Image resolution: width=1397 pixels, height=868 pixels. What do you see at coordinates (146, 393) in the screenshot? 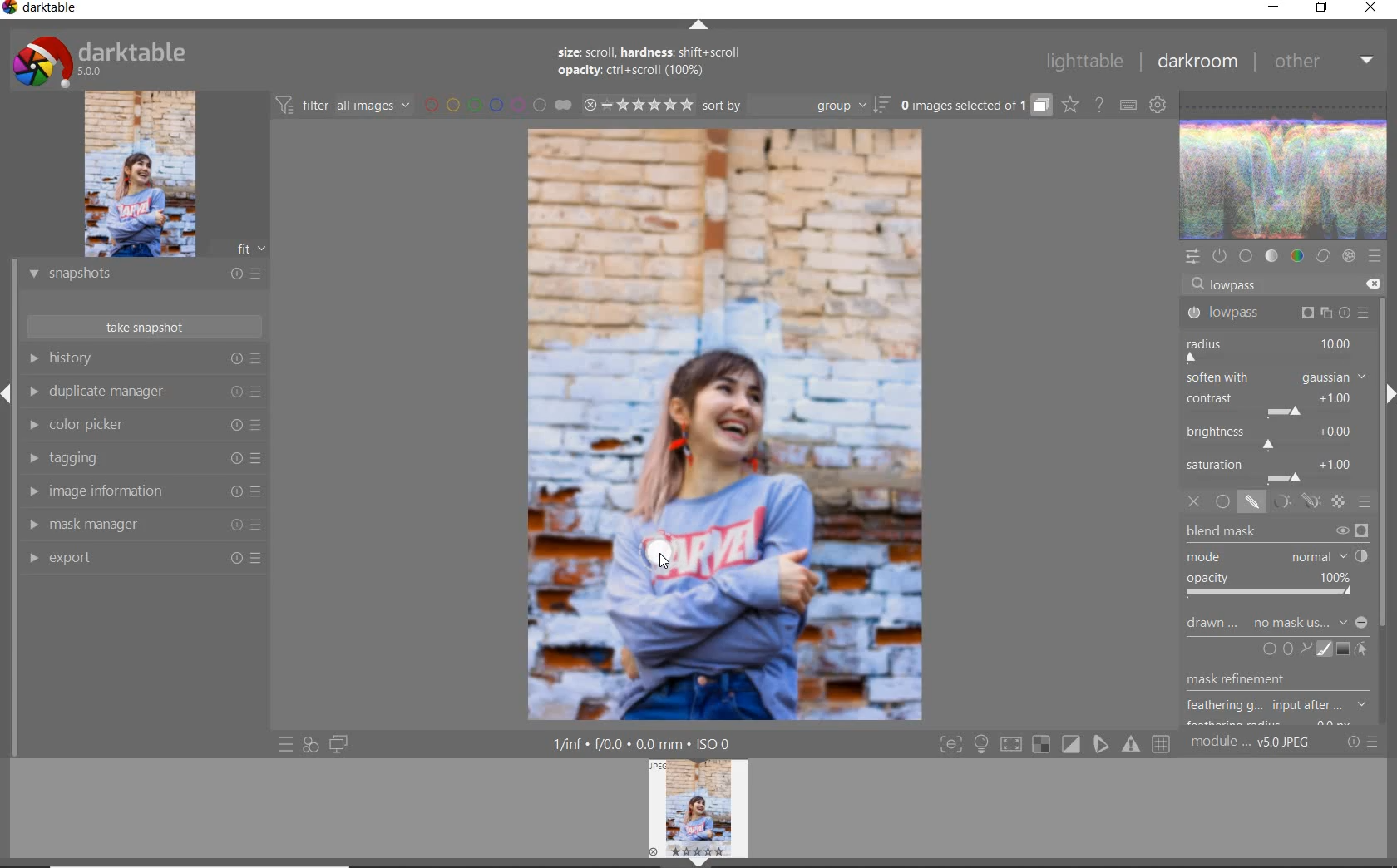
I see `duplicate manager` at bounding box center [146, 393].